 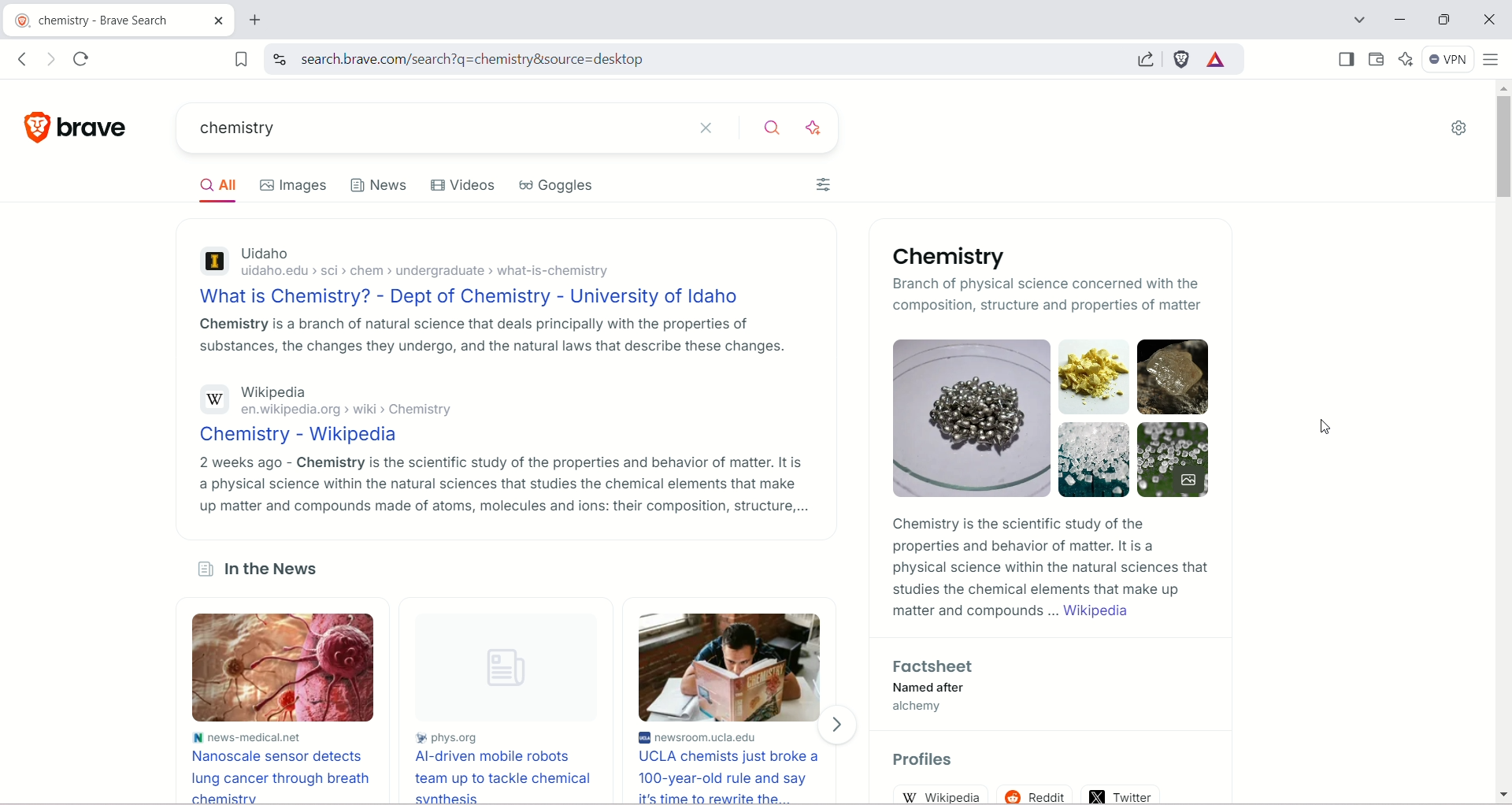 What do you see at coordinates (432, 129) in the screenshot?
I see `current search` at bounding box center [432, 129].